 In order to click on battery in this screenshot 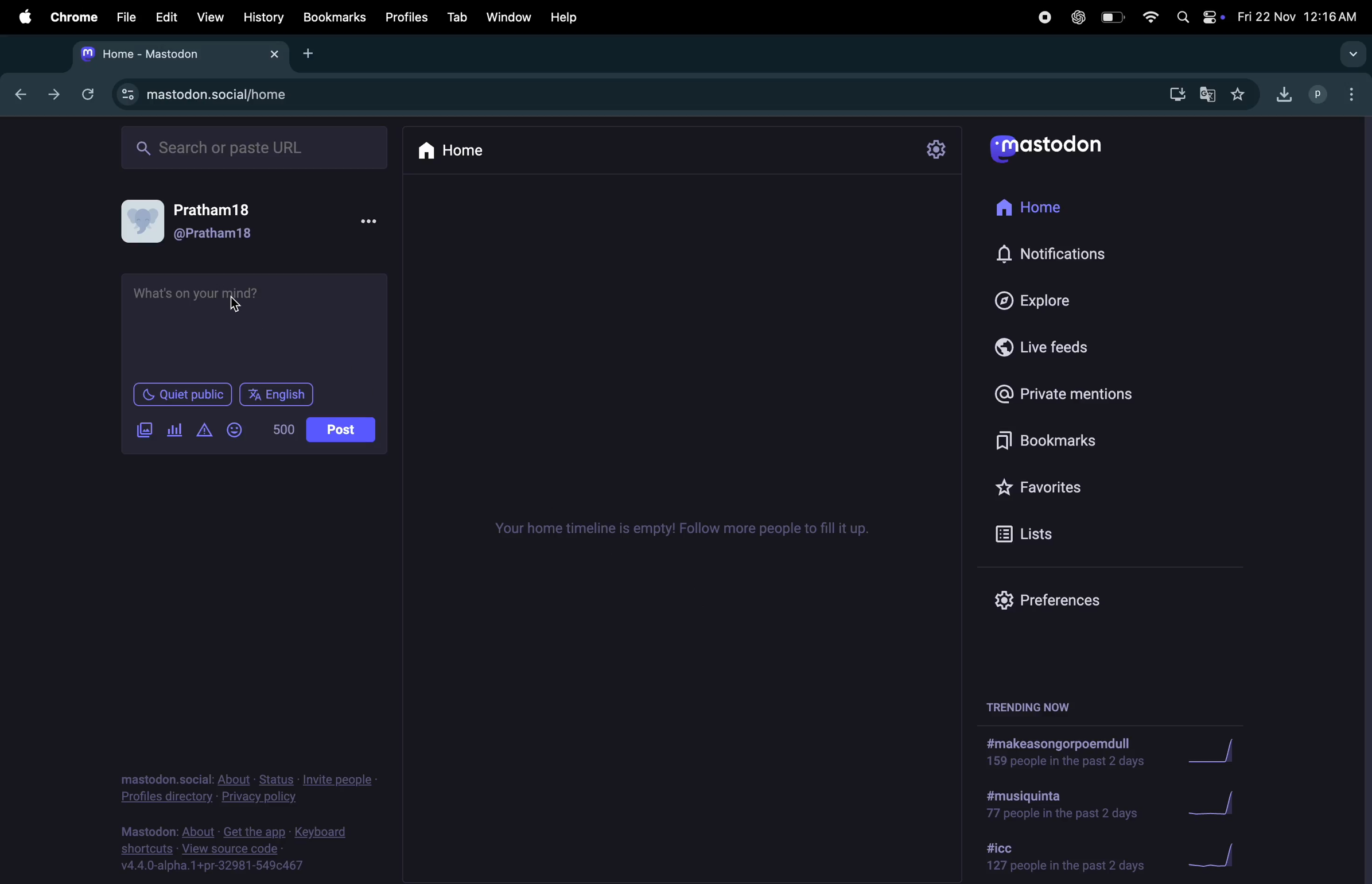, I will do `click(1111, 18)`.